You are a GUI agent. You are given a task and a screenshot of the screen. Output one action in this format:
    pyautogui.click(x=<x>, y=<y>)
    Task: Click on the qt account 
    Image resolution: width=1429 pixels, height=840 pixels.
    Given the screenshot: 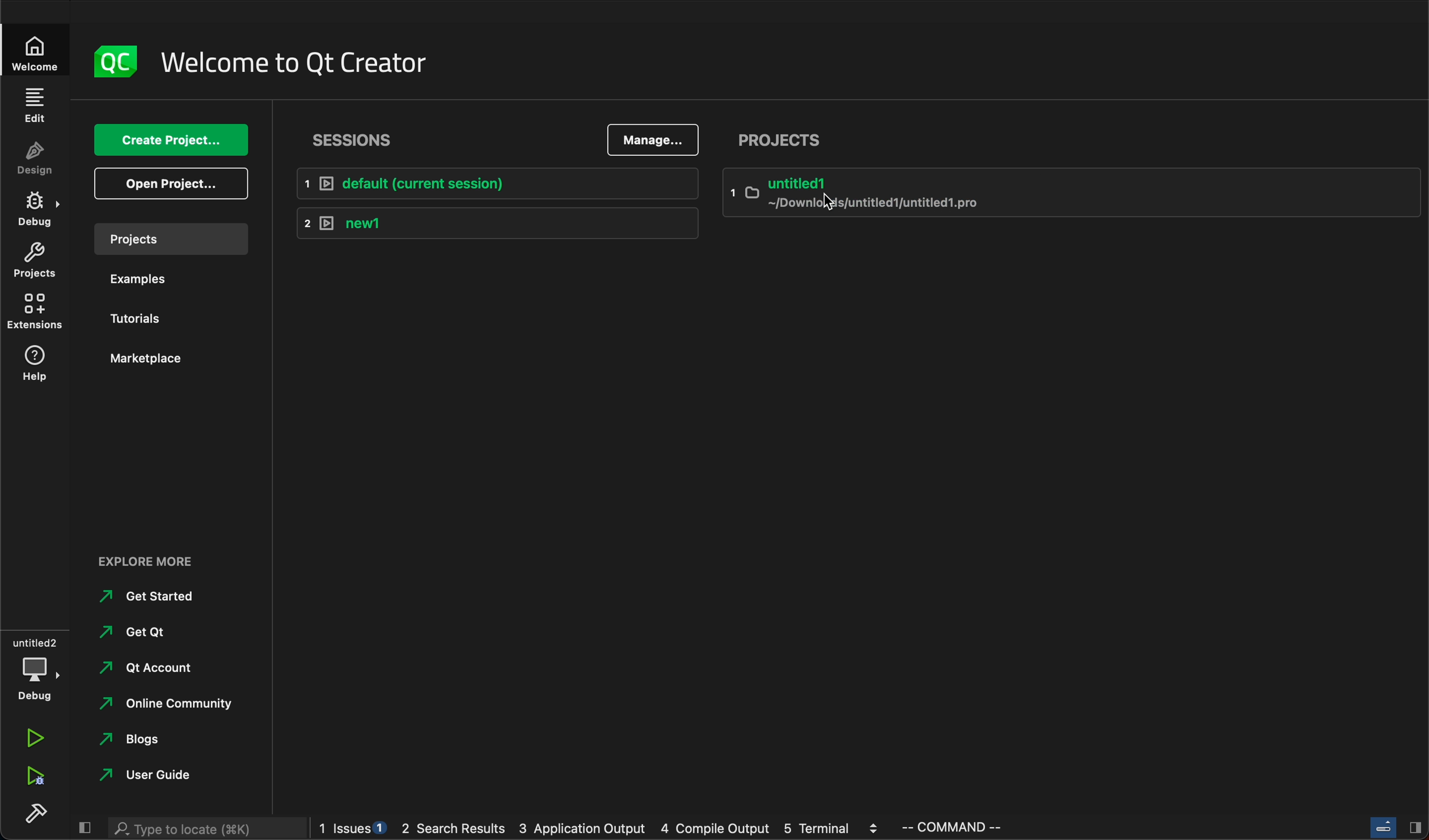 What is the action you would take?
    pyautogui.click(x=158, y=668)
    